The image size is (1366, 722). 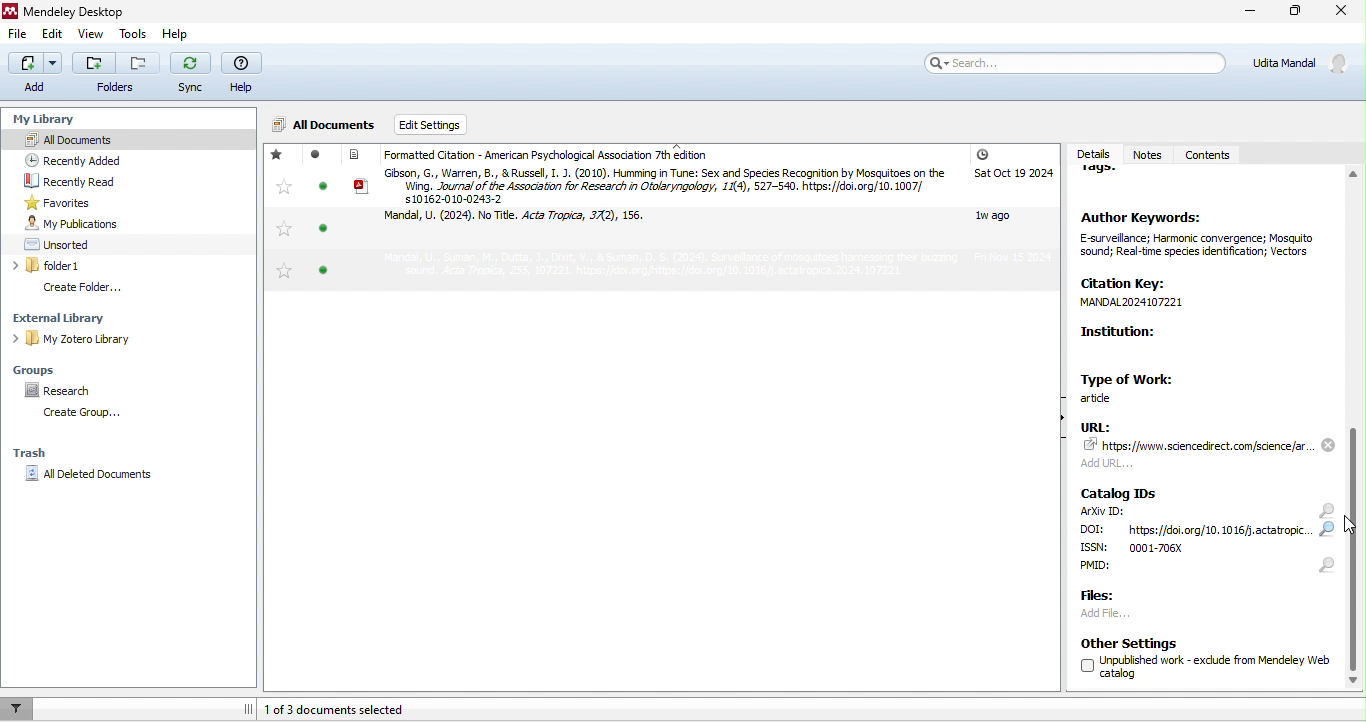 What do you see at coordinates (1168, 345) in the screenshot?
I see `Institution:` at bounding box center [1168, 345].